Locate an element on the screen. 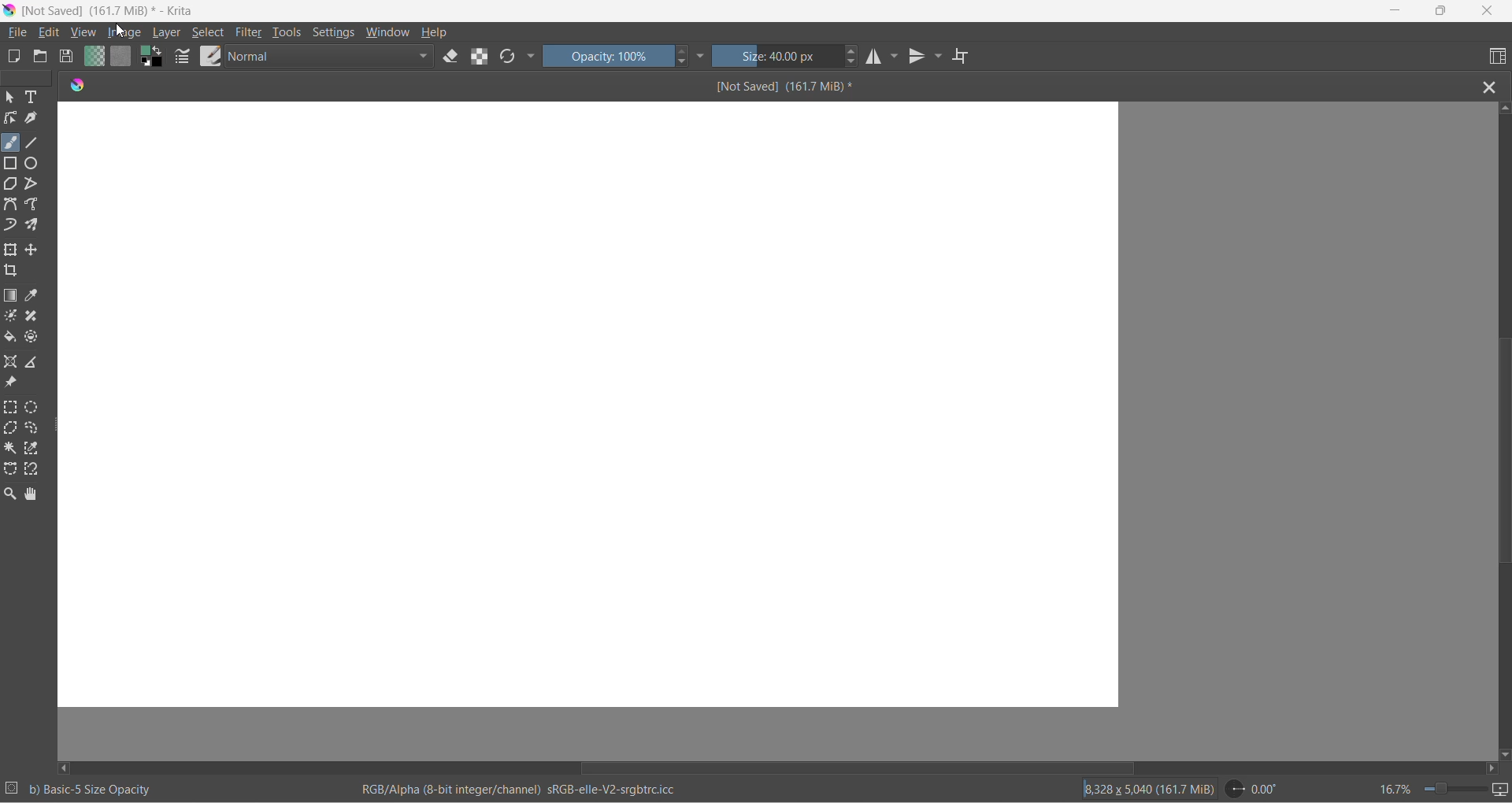 This screenshot has height=803, width=1512. scroll down button is located at coordinates (1503, 751).